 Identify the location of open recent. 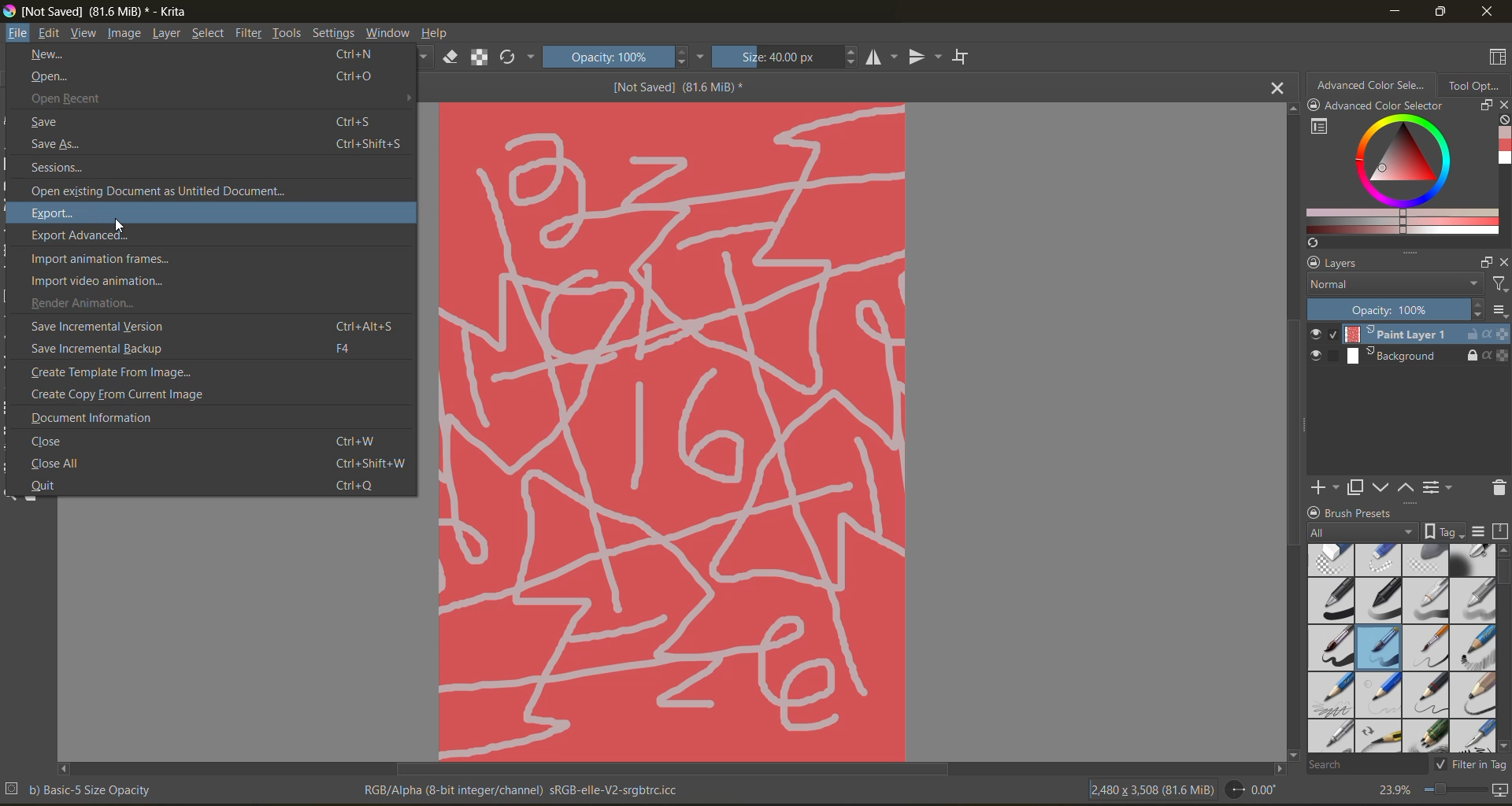
(182, 98).